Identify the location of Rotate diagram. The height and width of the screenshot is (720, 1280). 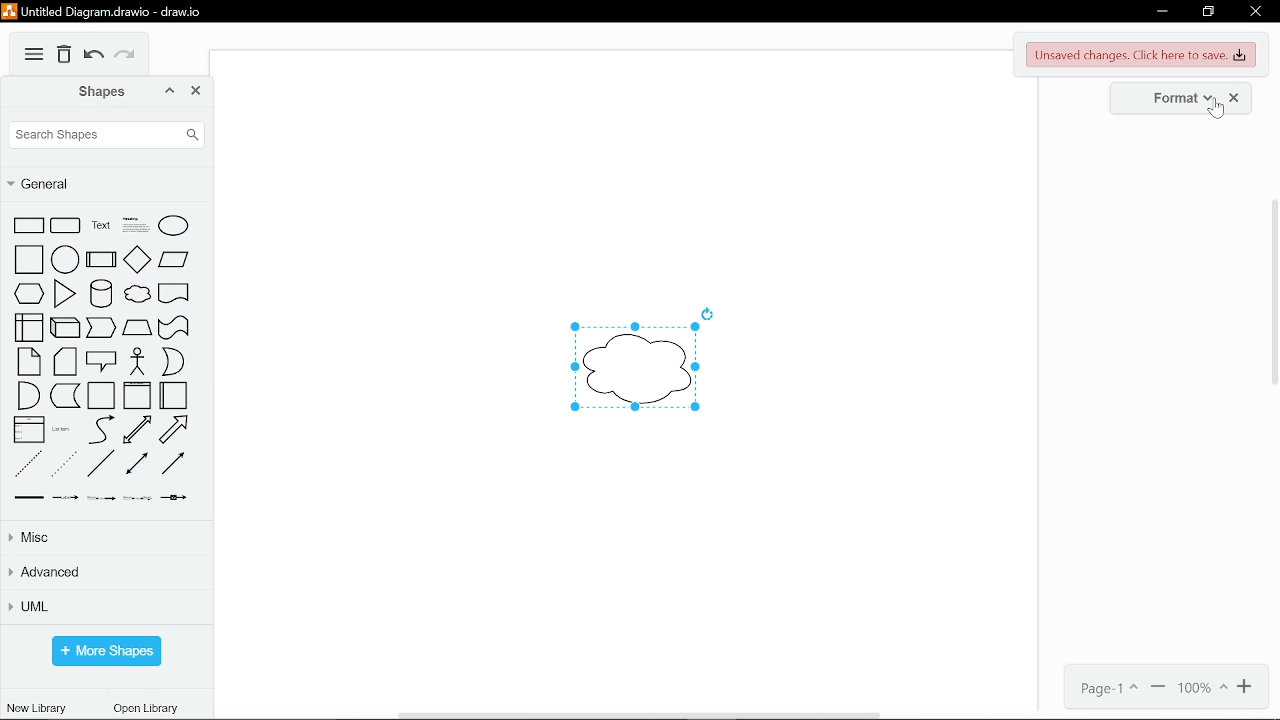
(707, 314).